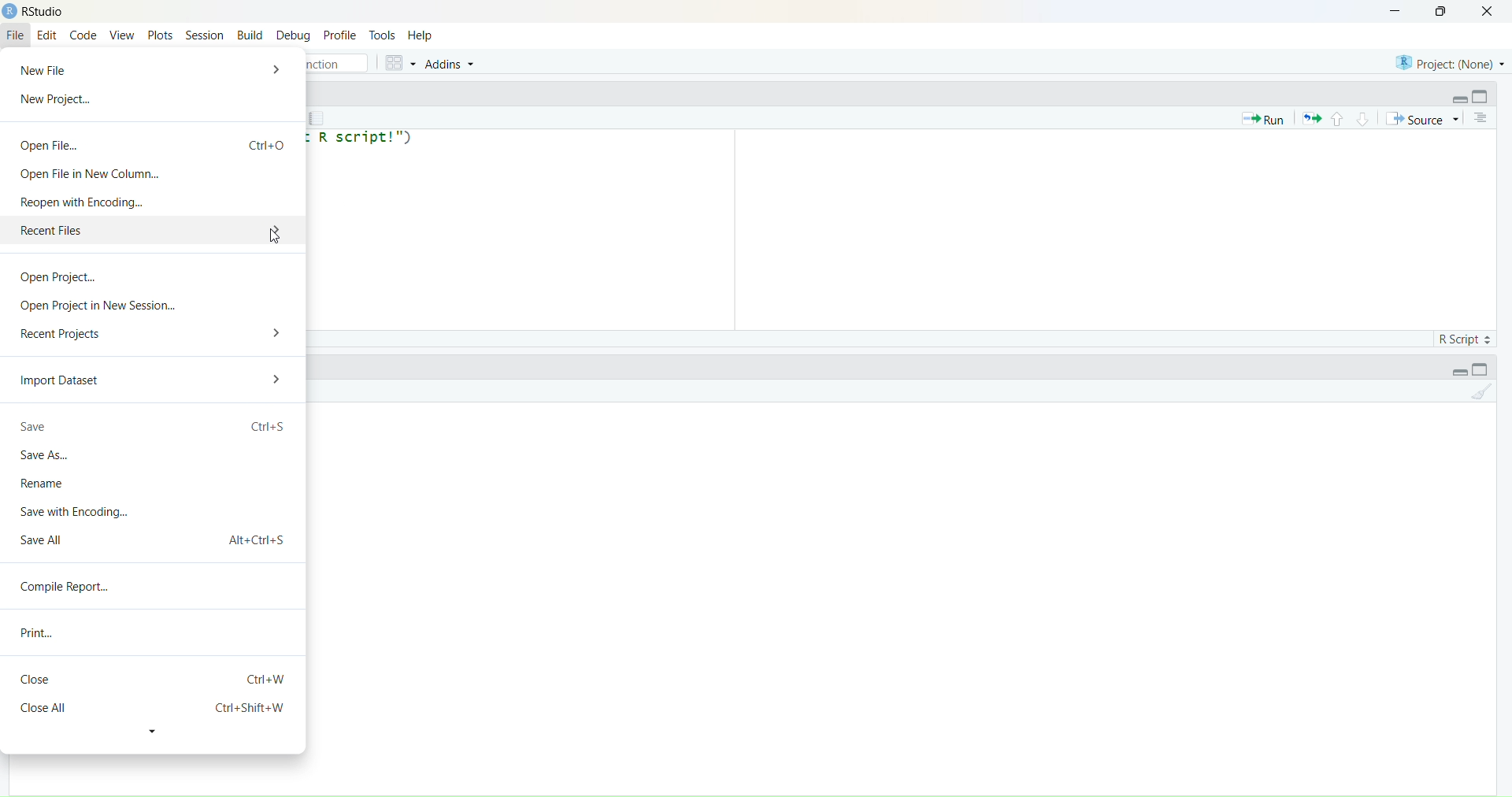  Describe the element at coordinates (384, 35) in the screenshot. I see `Tools` at that location.